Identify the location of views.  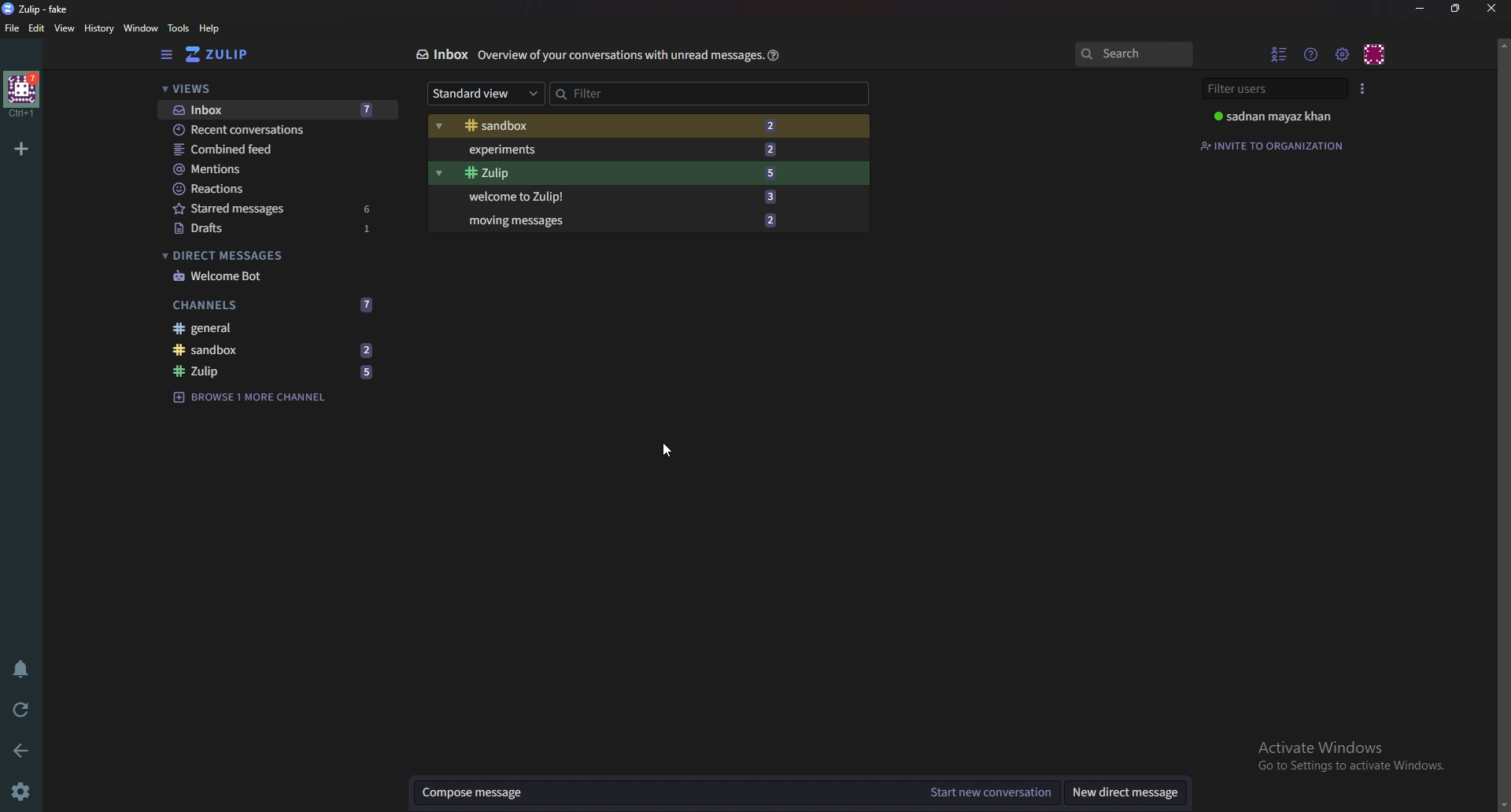
(275, 88).